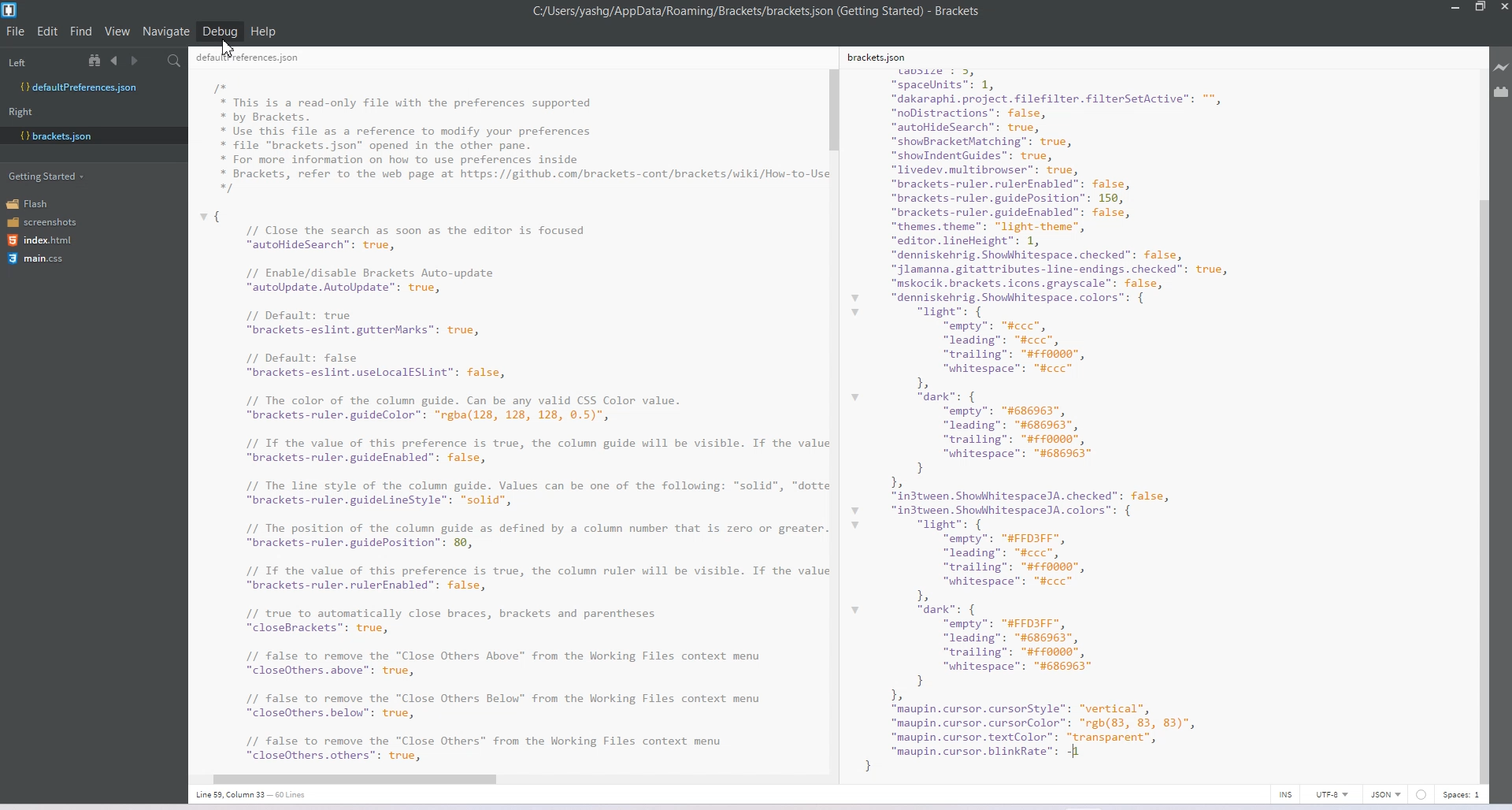  I want to click on main.css, so click(35, 258).